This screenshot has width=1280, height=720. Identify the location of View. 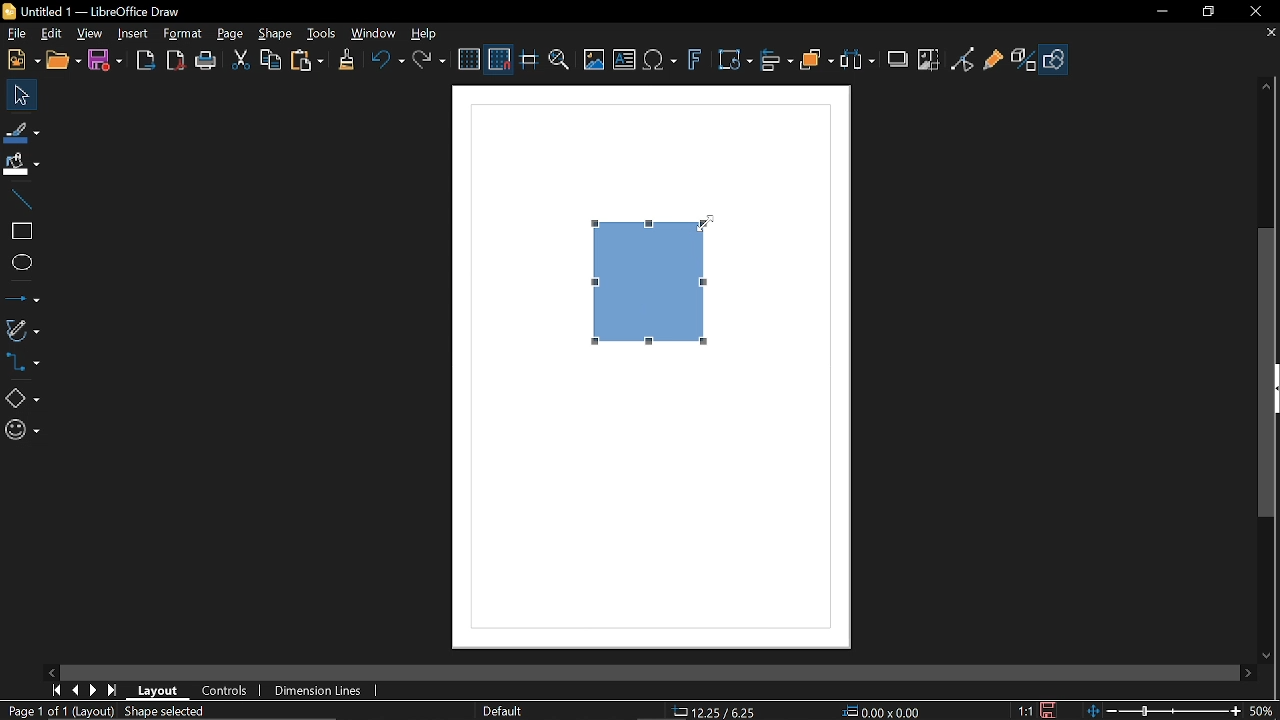
(91, 33).